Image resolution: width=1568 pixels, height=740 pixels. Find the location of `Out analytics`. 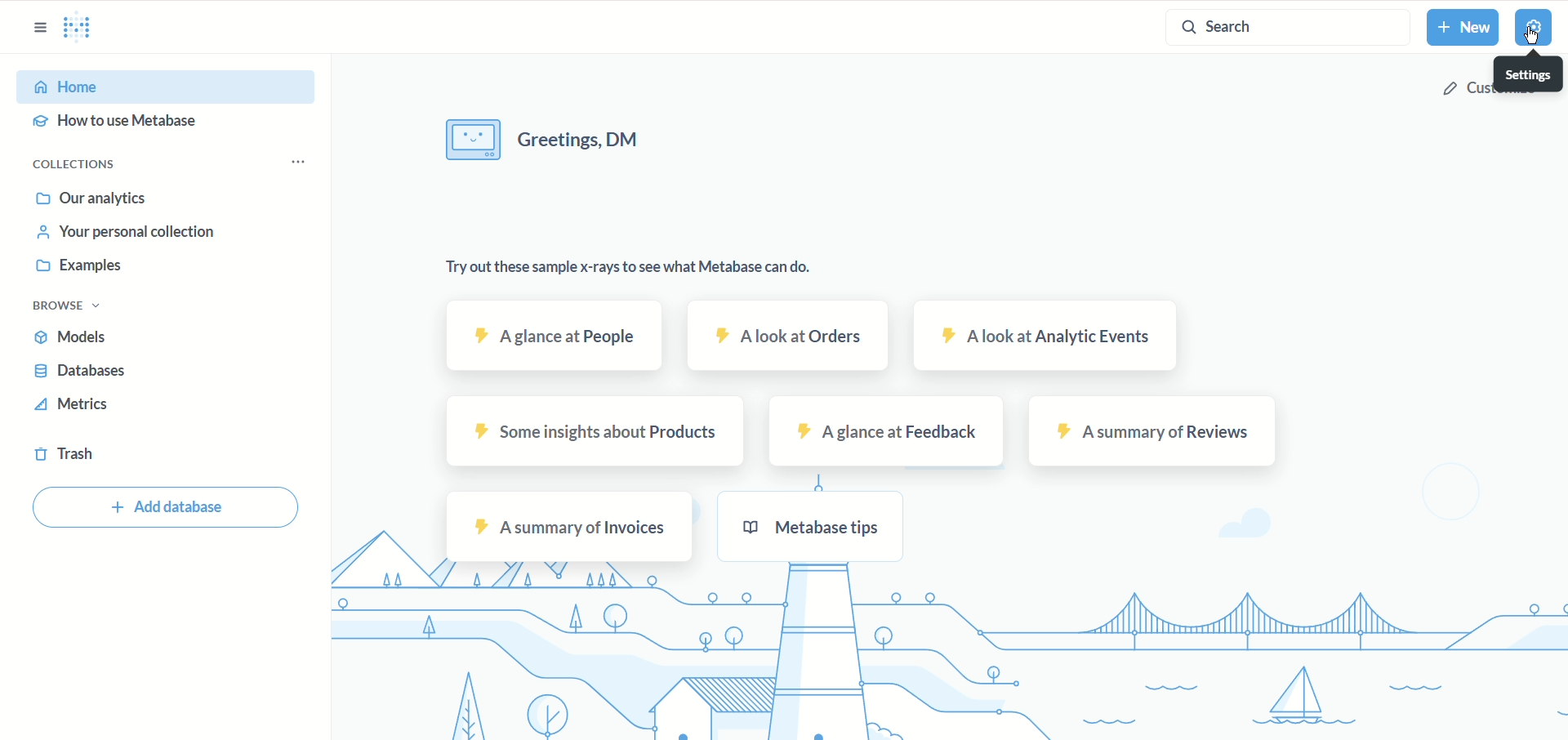

Out analytics is located at coordinates (124, 198).